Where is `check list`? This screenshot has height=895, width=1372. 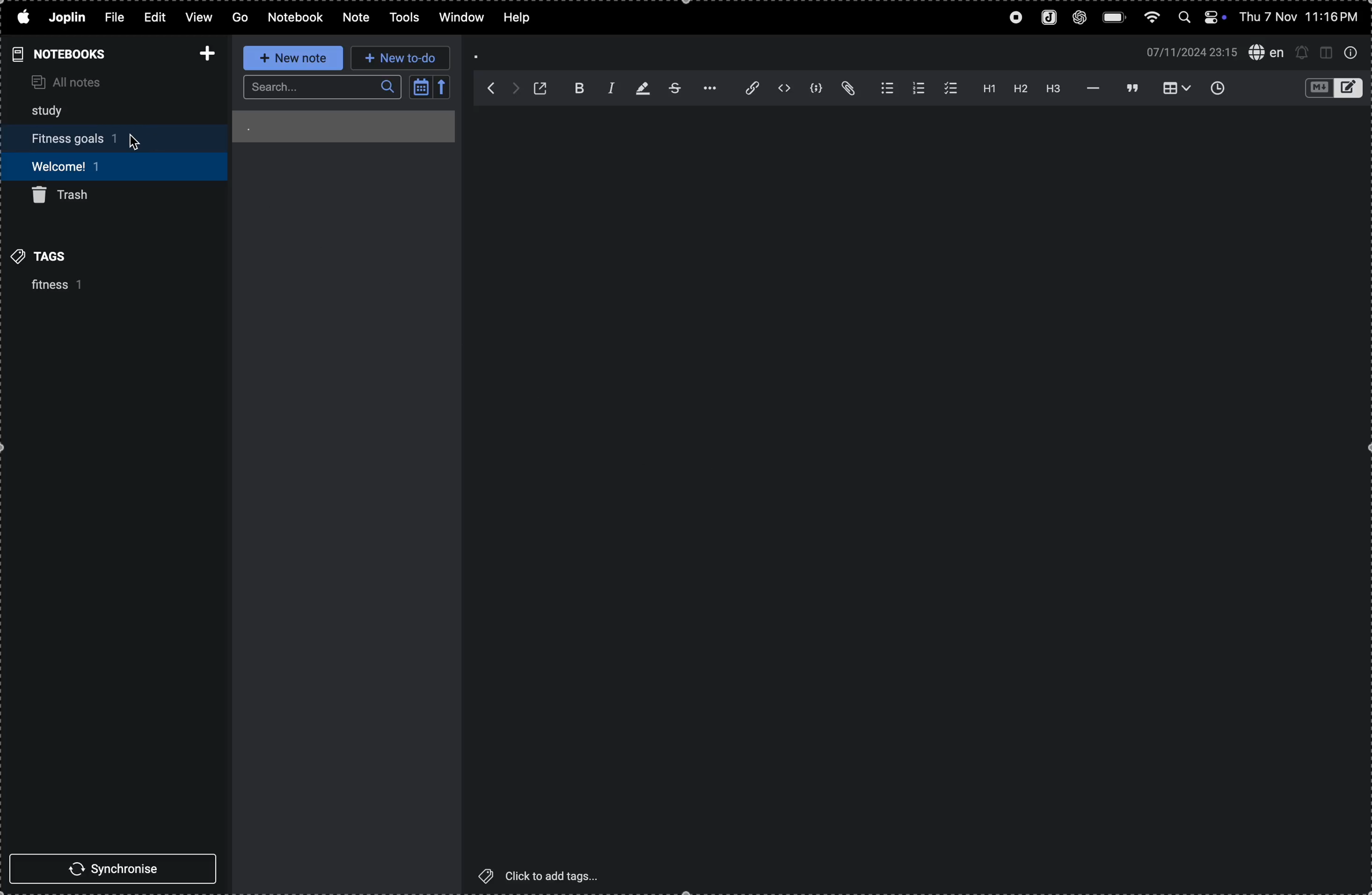
check list is located at coordinates (949, 88).